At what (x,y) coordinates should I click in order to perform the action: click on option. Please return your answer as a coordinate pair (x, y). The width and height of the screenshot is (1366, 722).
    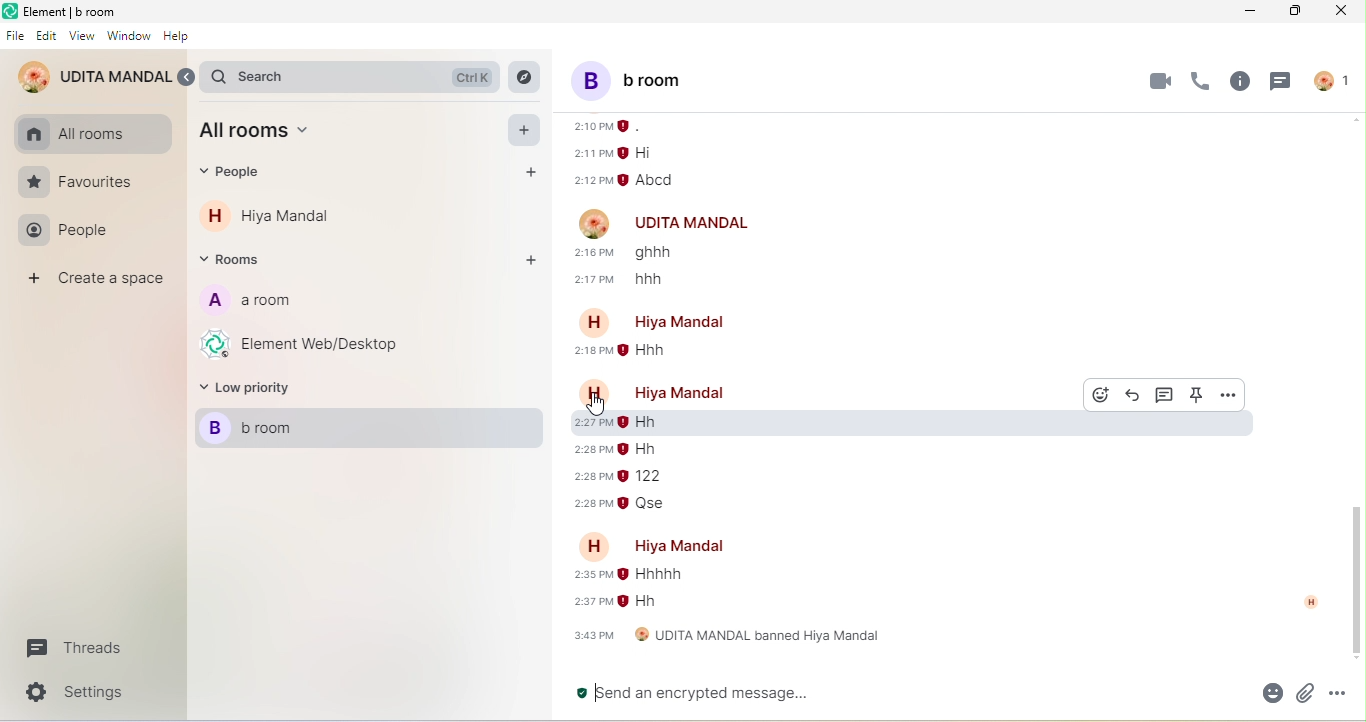
    Looking at the image, I should click on (1230, 395).